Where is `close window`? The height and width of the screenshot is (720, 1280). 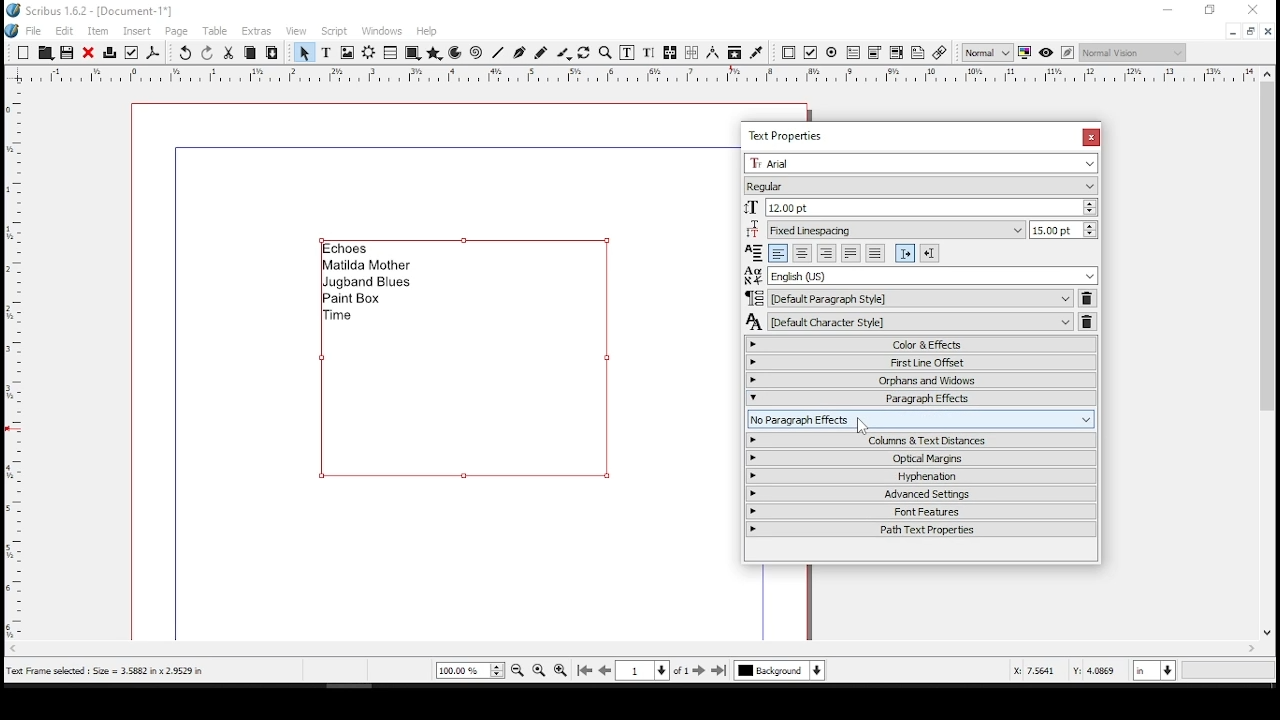
close window is located at coordinates (1268, 31).